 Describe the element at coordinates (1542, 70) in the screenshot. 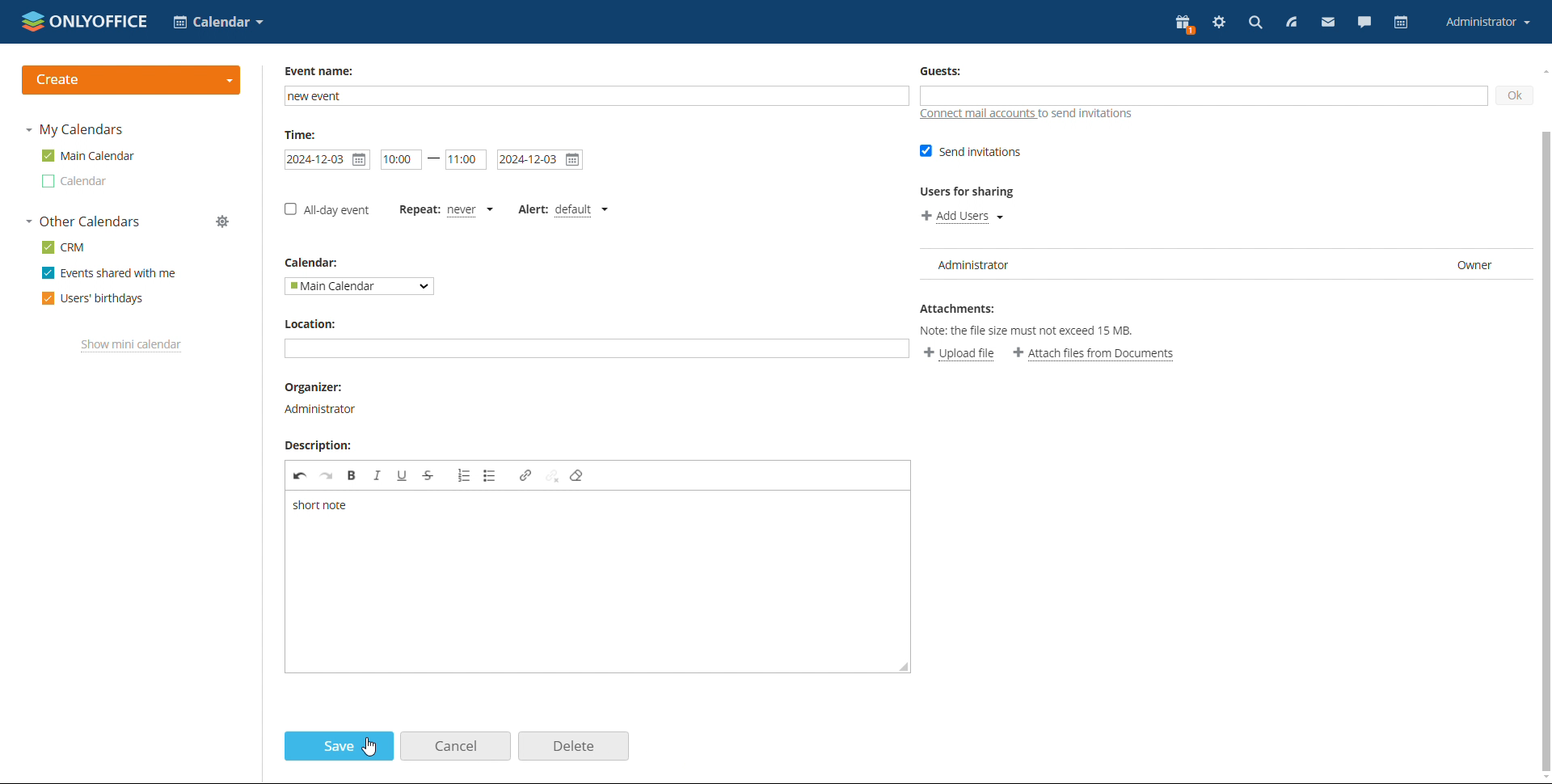

I see `scroll up` at that location.